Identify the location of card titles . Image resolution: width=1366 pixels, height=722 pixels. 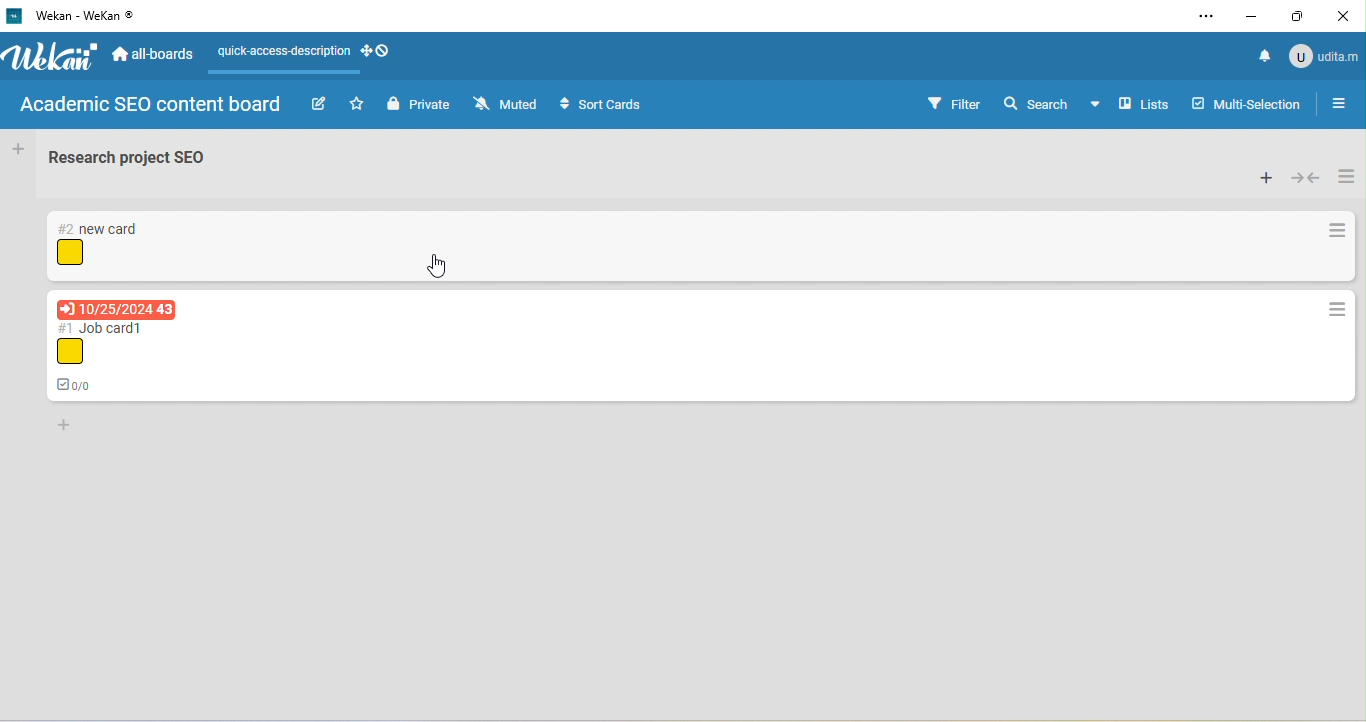
(104, 327).